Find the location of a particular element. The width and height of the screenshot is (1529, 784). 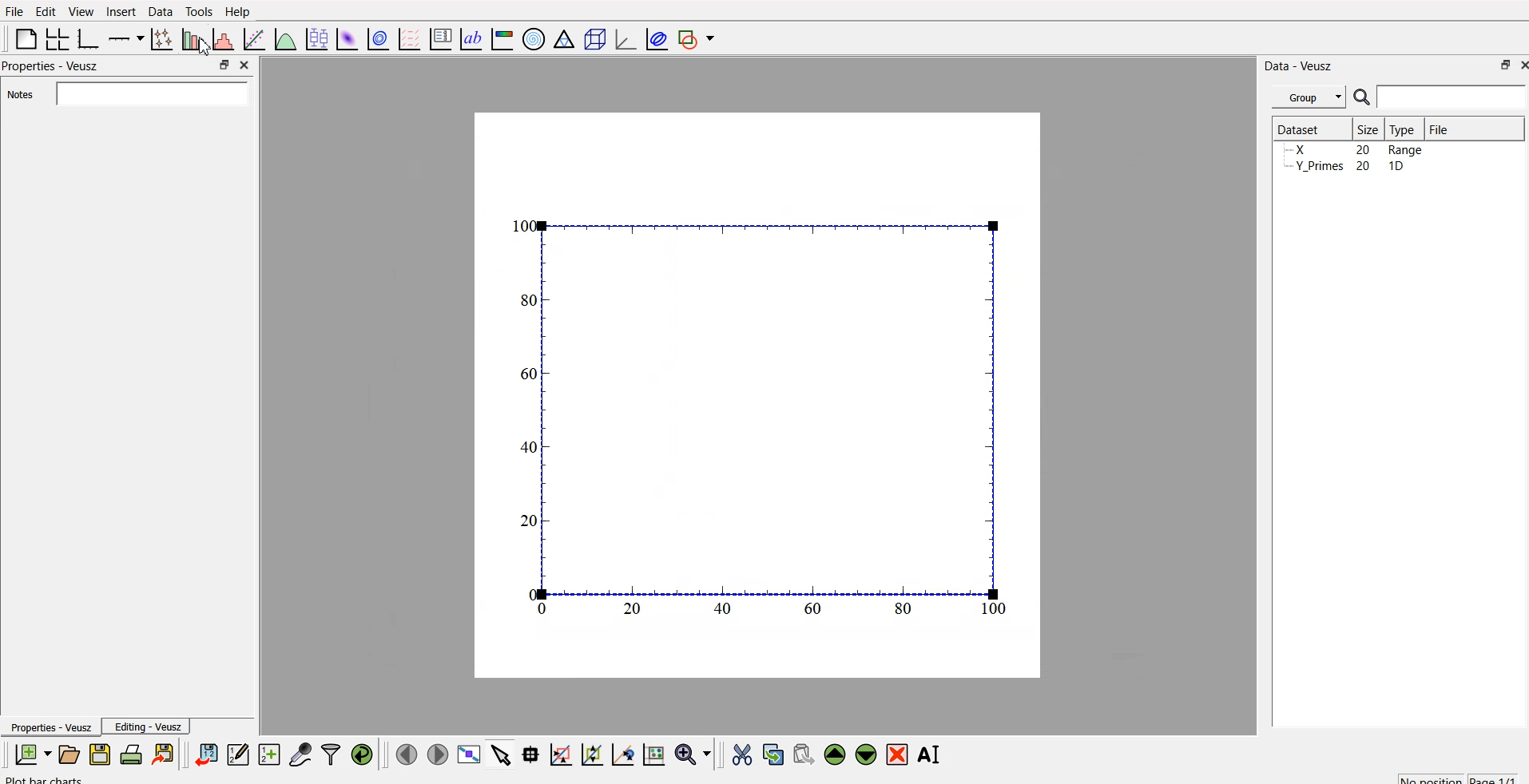

Insert is located at coordinates (121, 11).